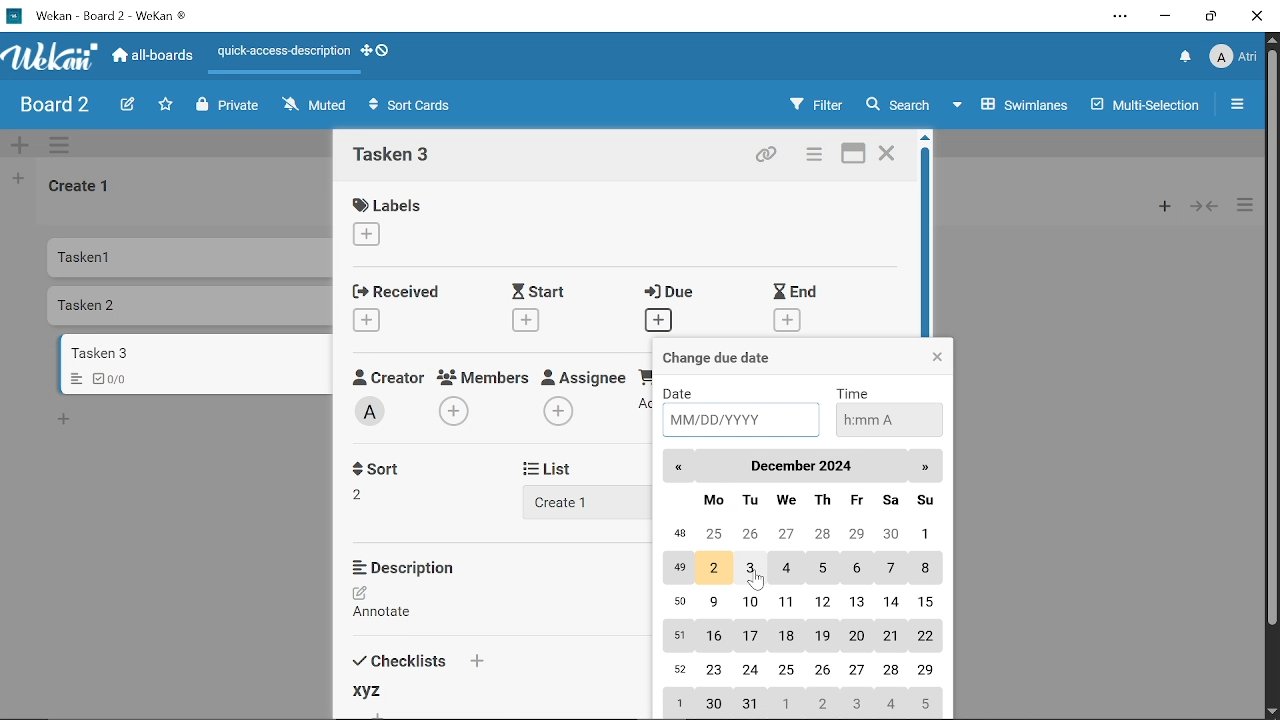 The image size is (1280, 720). Describe the element at coordinates (382, 52) in the screenshot. I see `show desktop drag handles` at that location.